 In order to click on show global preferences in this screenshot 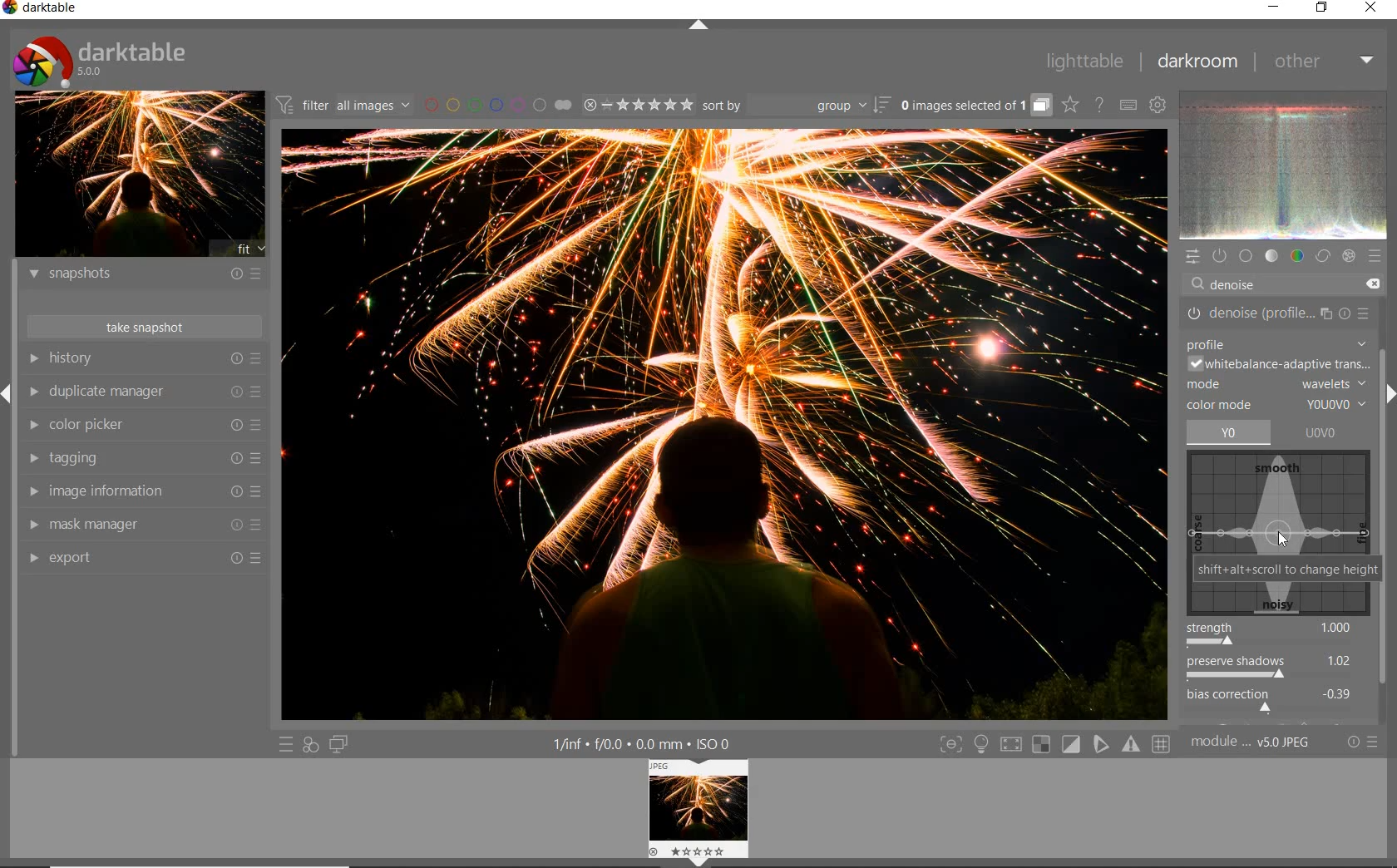, I will do `click(1156, 105)`.